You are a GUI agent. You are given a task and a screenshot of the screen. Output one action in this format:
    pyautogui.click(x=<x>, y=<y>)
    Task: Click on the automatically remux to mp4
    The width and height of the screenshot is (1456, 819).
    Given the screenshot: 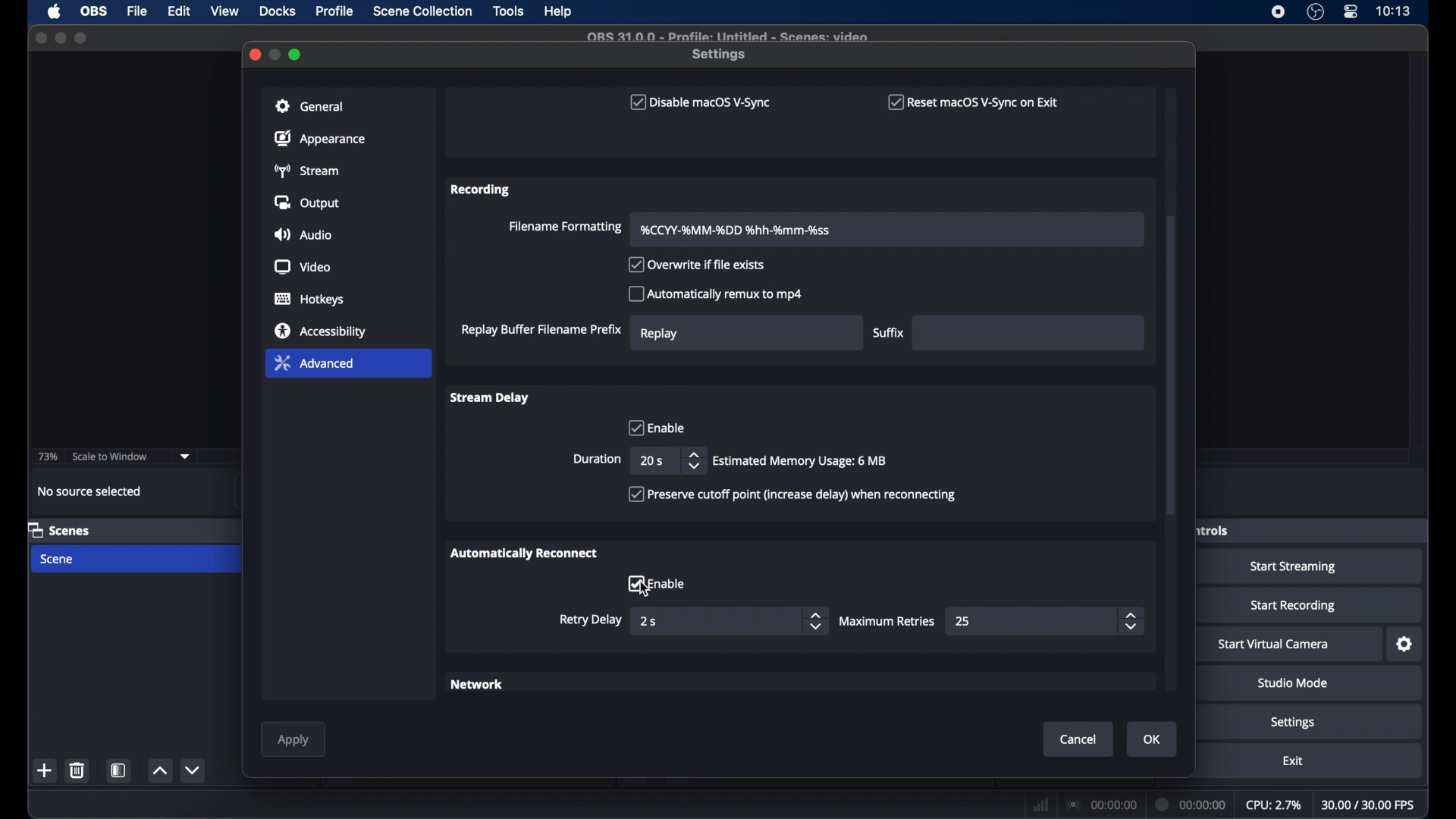 What is the action you would take?
    pyautogui.click(x=716, y=293)
    